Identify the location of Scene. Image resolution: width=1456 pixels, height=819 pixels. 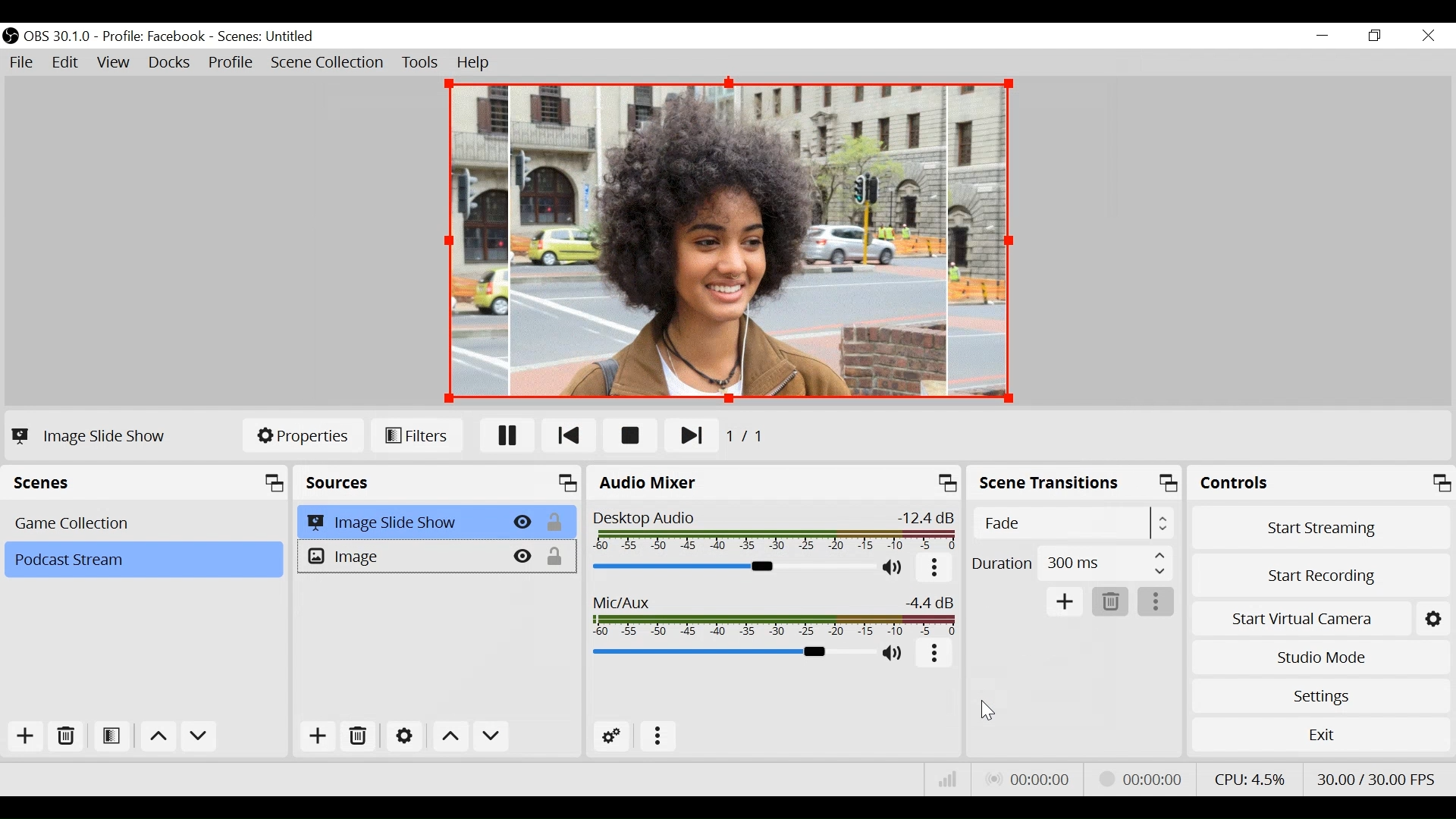
(146, 522).